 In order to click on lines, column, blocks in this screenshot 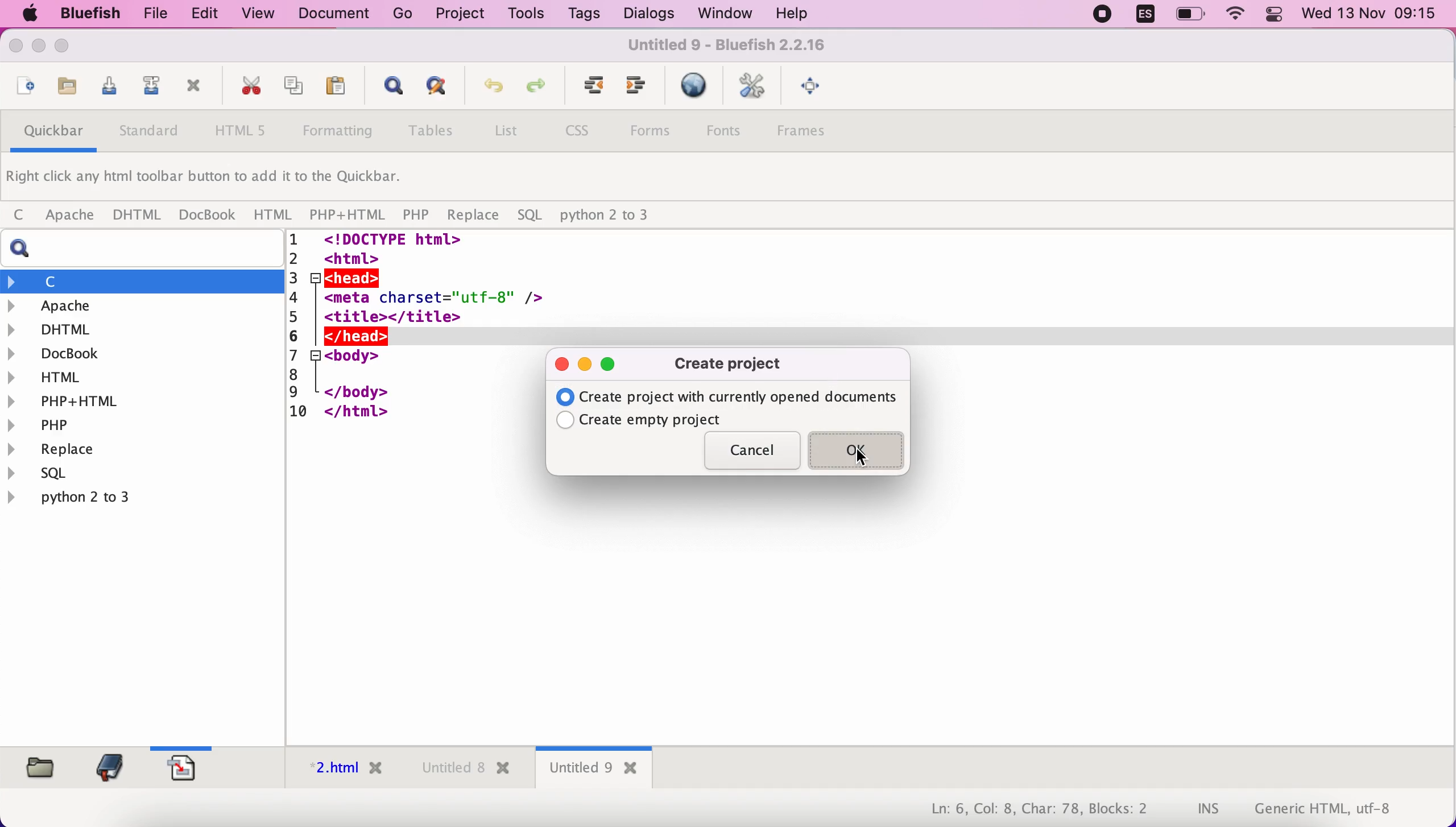, I will do `click(1031, 810)`.